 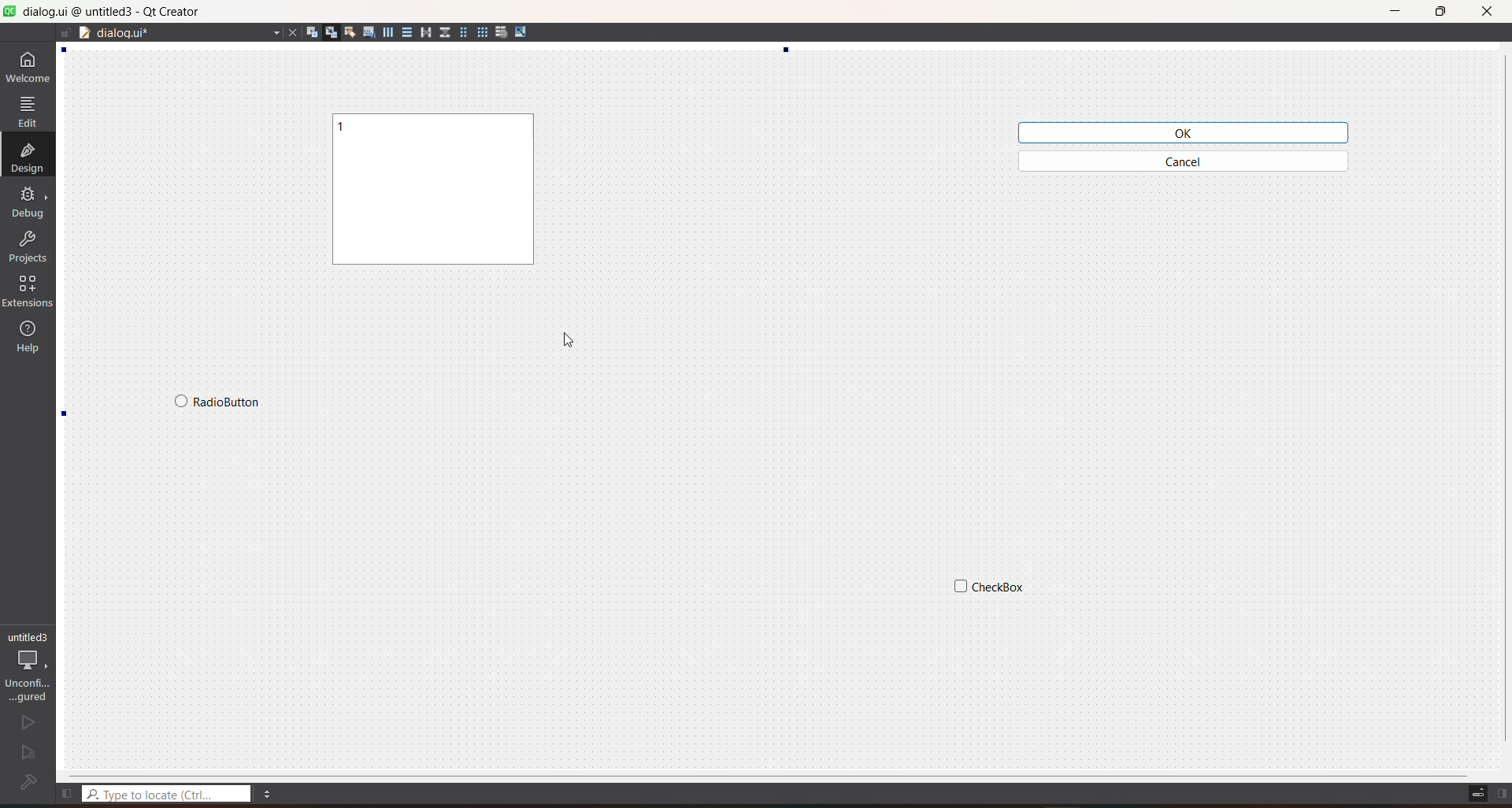 I want to click on file configuration, so click(x=27, y=784).